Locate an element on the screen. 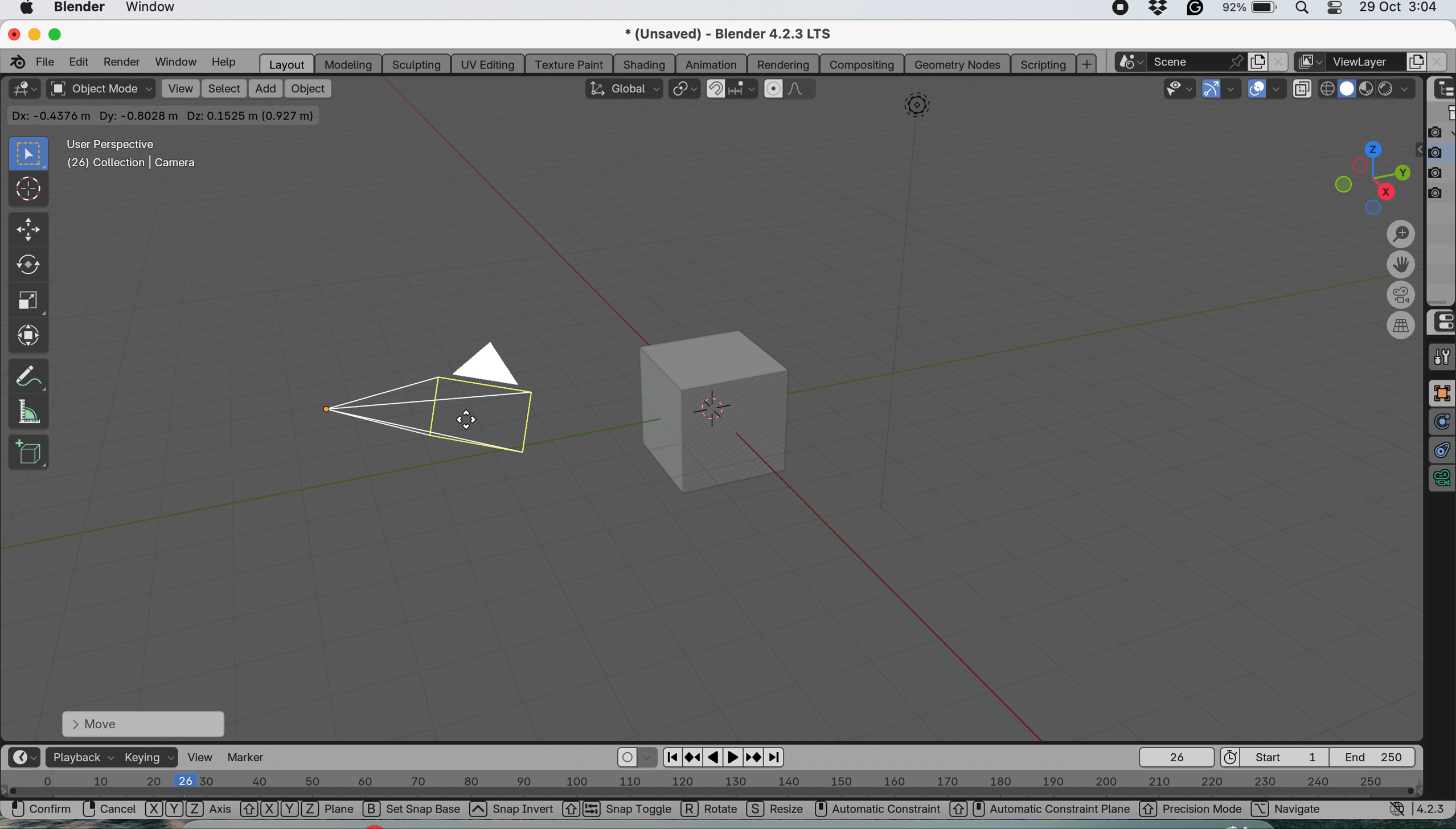  Set Snap base is located at coordinates (425, 811).